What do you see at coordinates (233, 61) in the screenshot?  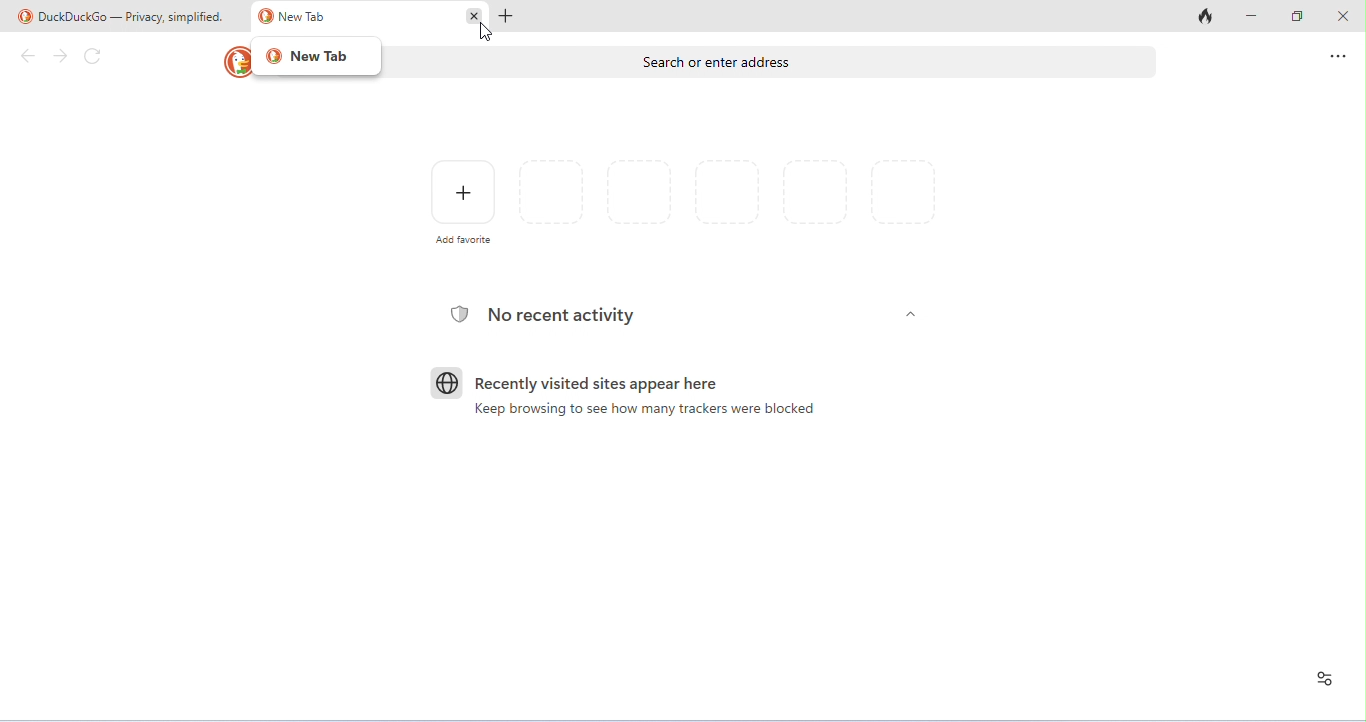 I see `duckduckgo logo` at bounding box center [233, 61].